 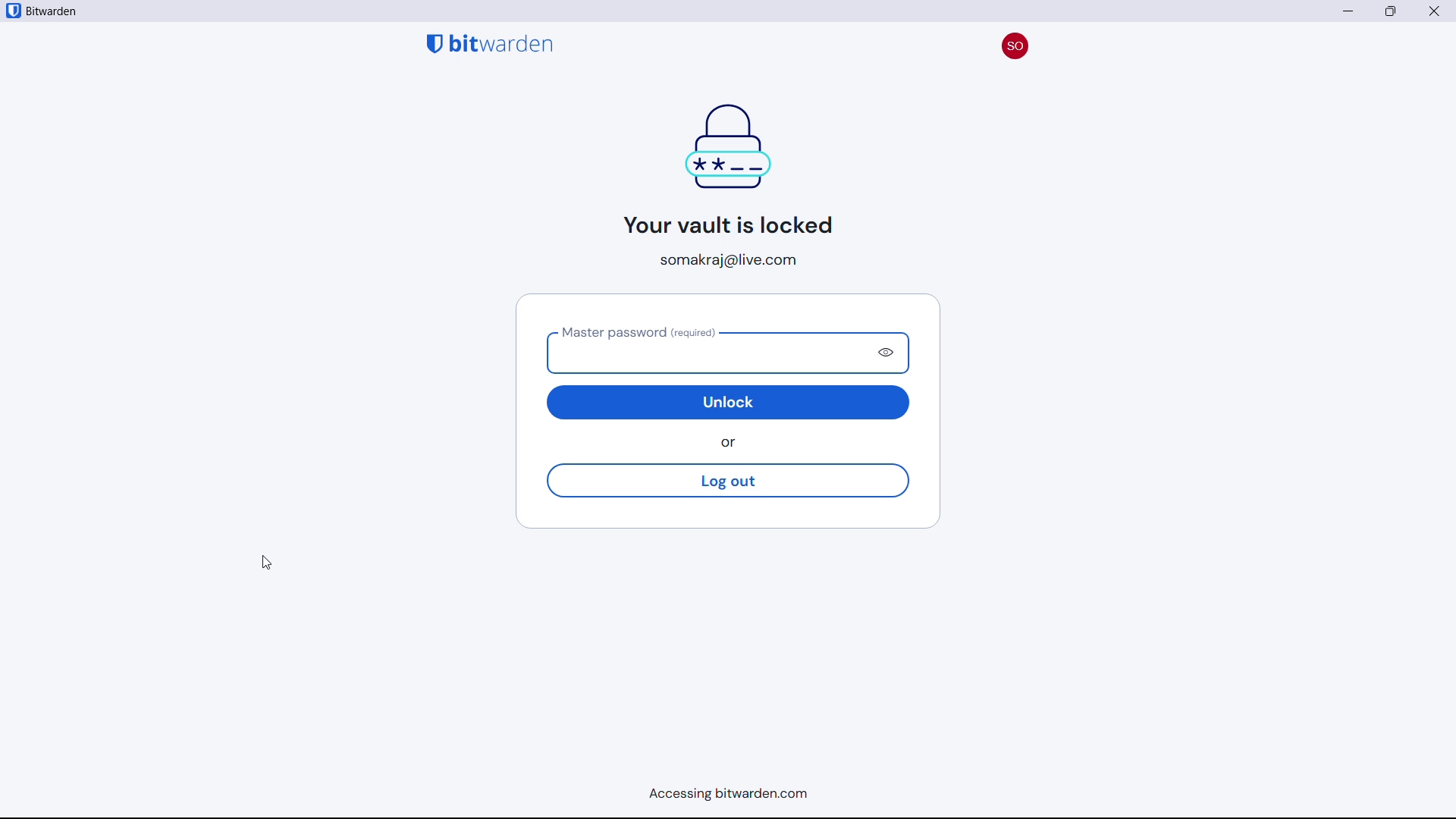 I want to click on Email id of the account somakraj@live .com, so click(x=734, y=260).